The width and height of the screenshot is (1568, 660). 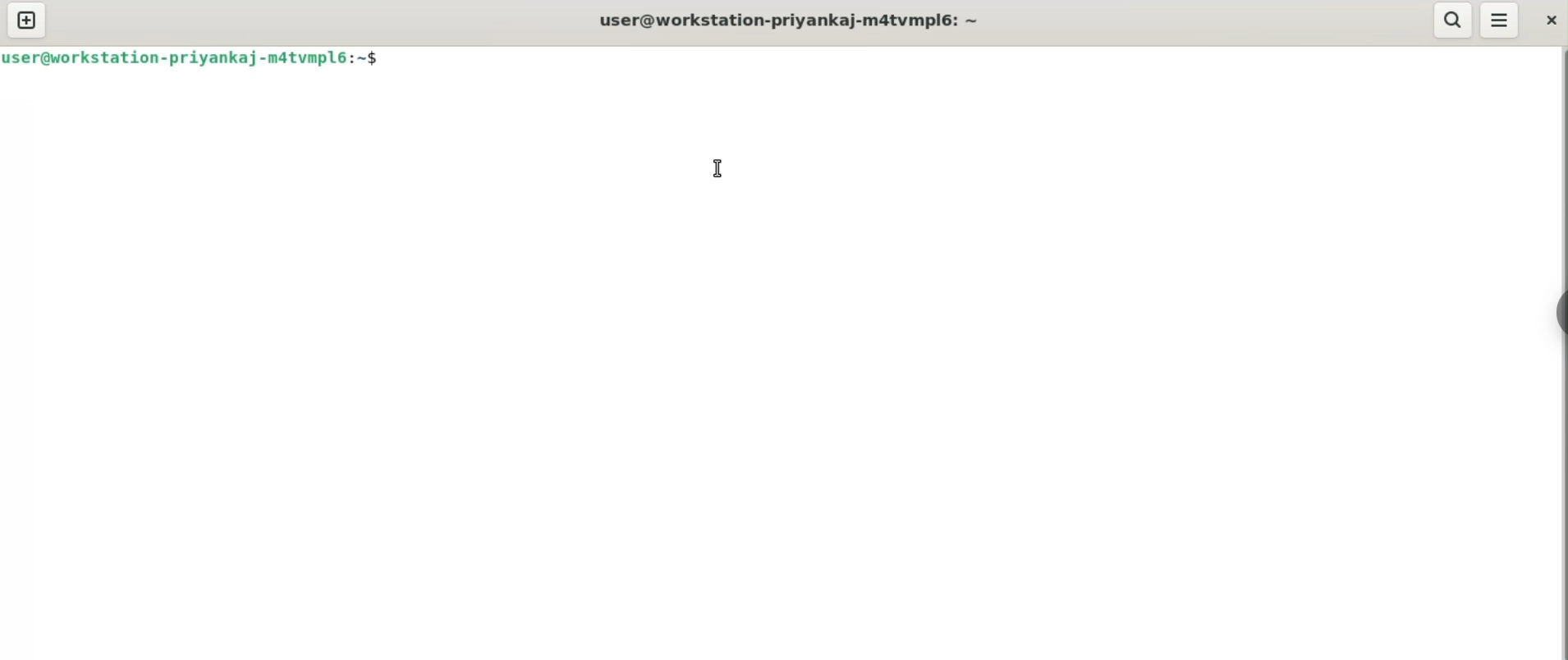 What do you see at coordinates (1452, 20) in the screenshot?
I see `search` at bounding box center [1452, 20].